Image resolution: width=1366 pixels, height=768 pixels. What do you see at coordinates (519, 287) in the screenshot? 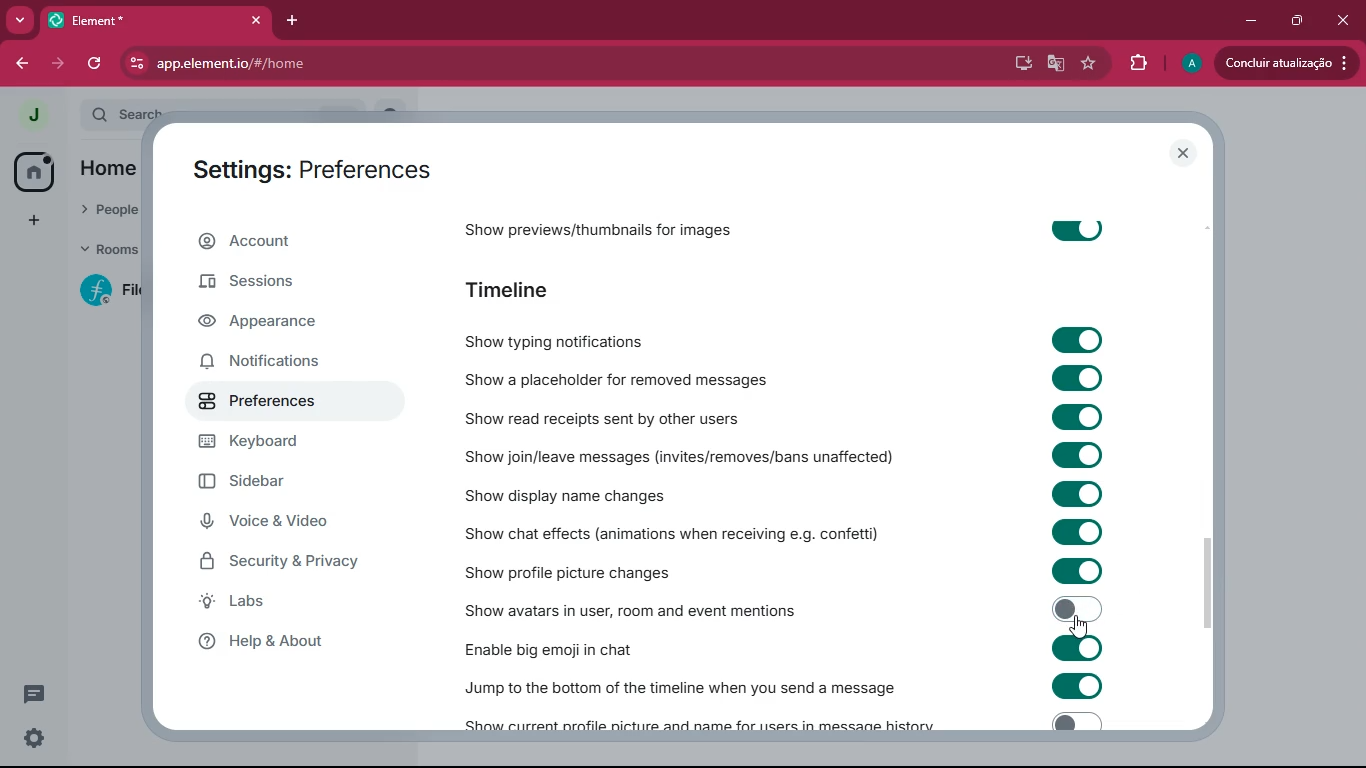
I see `timeline` at bounding box center [519, 287].